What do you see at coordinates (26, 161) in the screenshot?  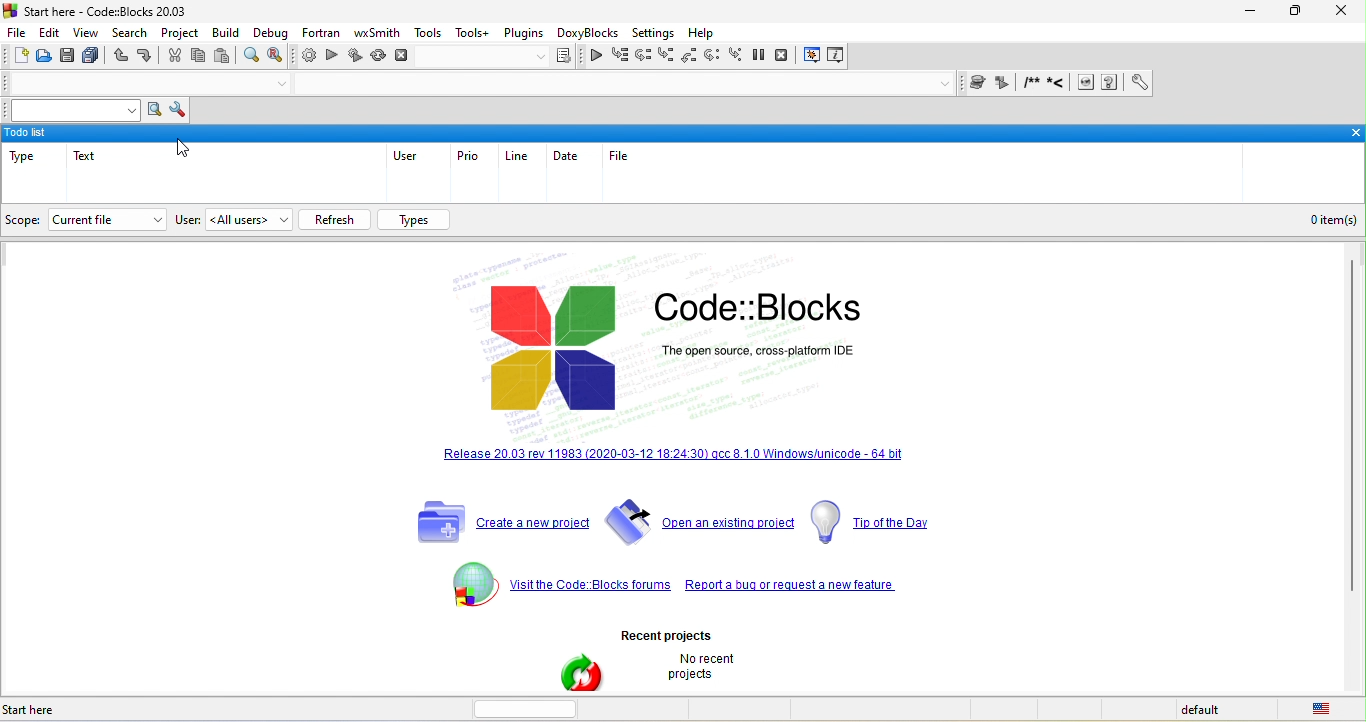 I see `type ` at bounding box center [26, 161].